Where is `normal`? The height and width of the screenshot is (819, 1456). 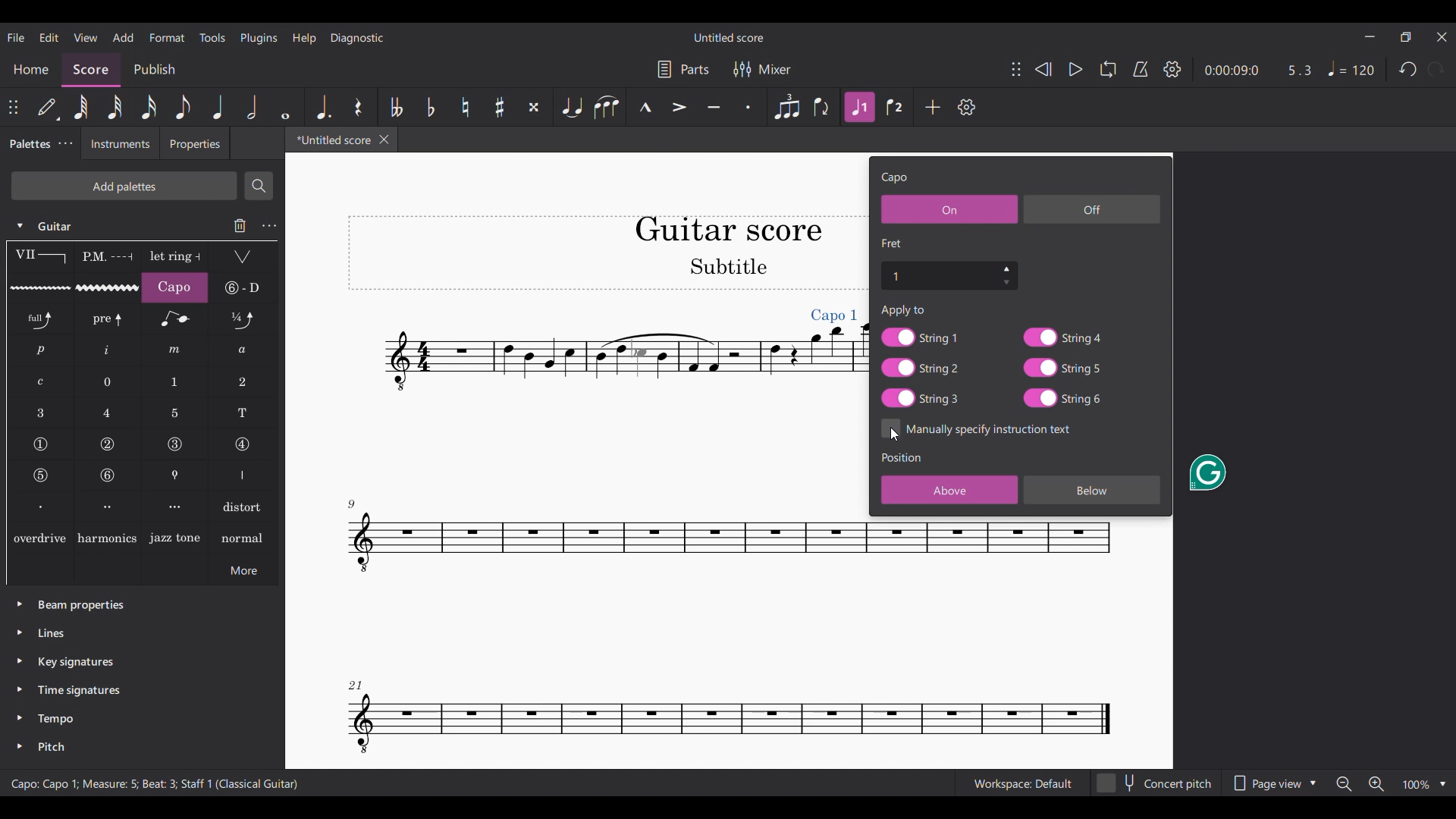
normal is located at coordinates (243, 537).